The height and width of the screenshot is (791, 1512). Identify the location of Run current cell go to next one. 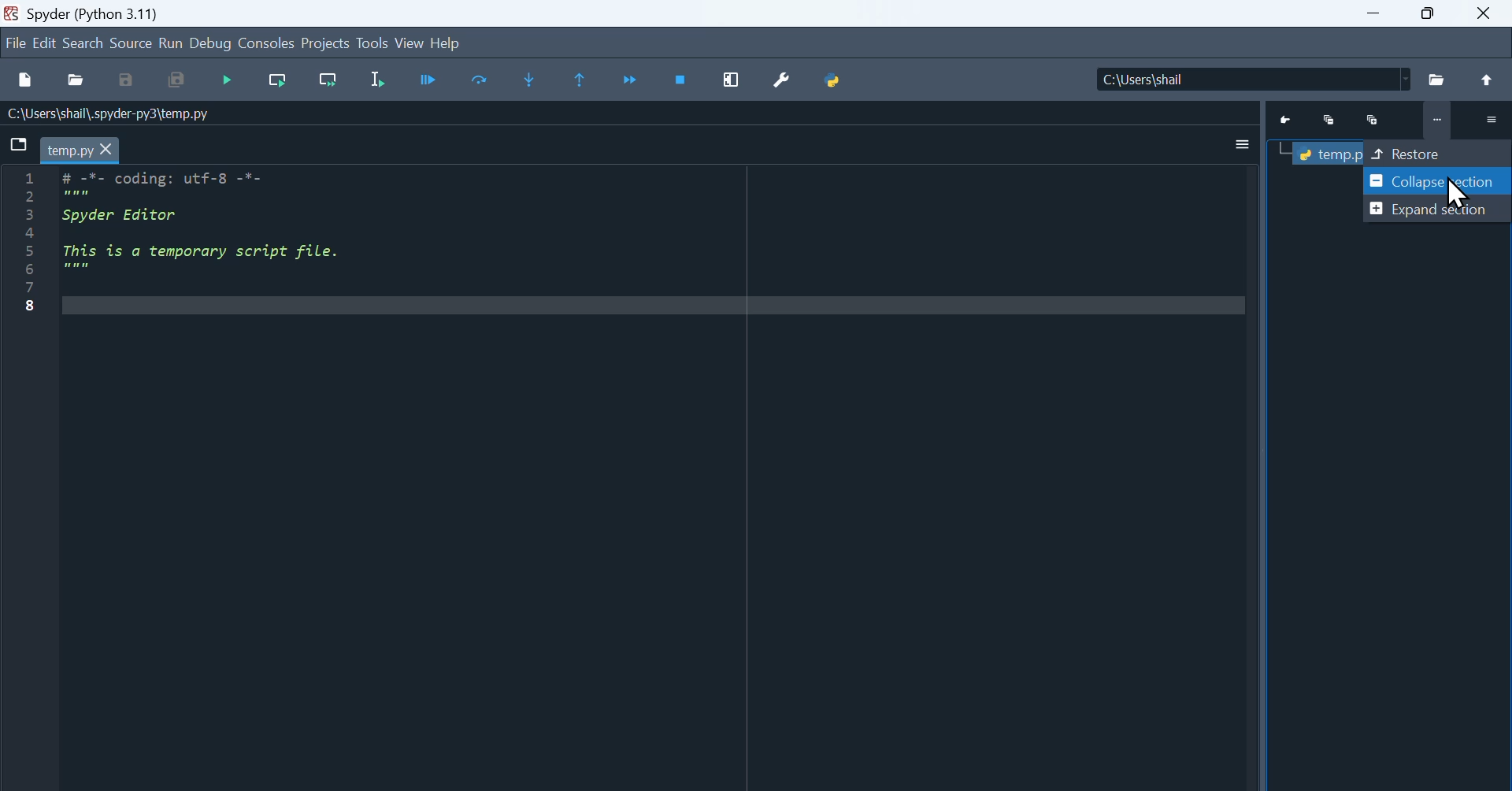
(328, 81).